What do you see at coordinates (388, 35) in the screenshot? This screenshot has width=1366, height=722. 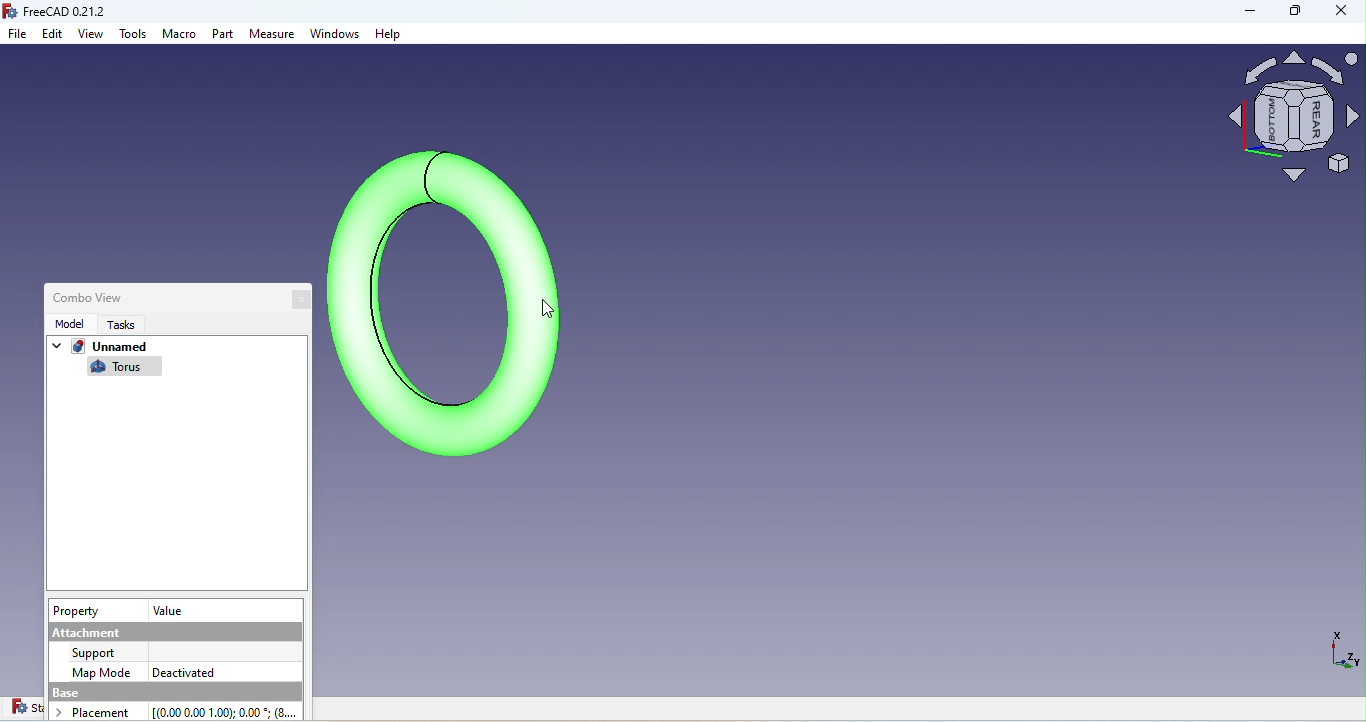 I see `Help` at bounding box center [388, 35].